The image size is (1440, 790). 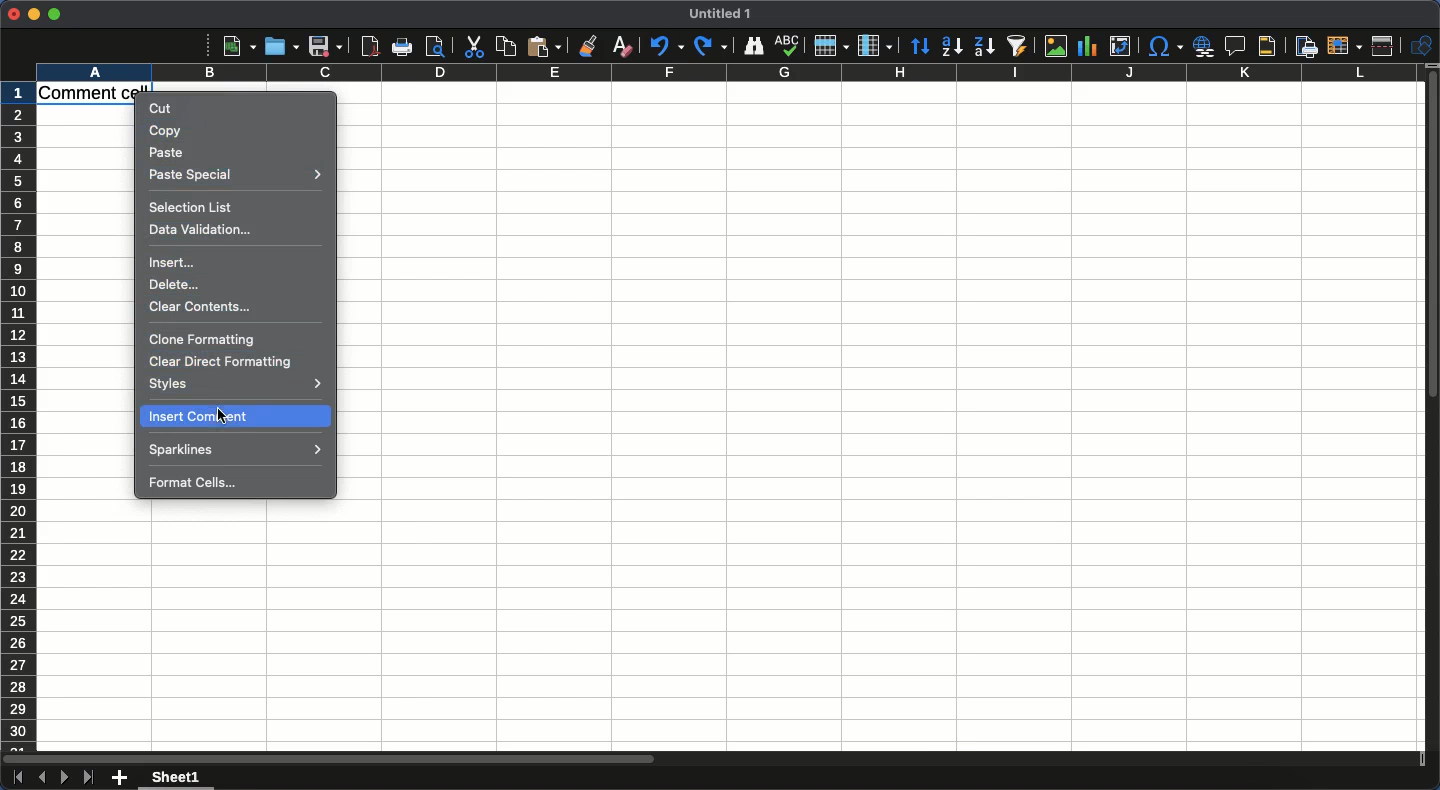 I want to click on Paste special, so click(x=237, y=174).